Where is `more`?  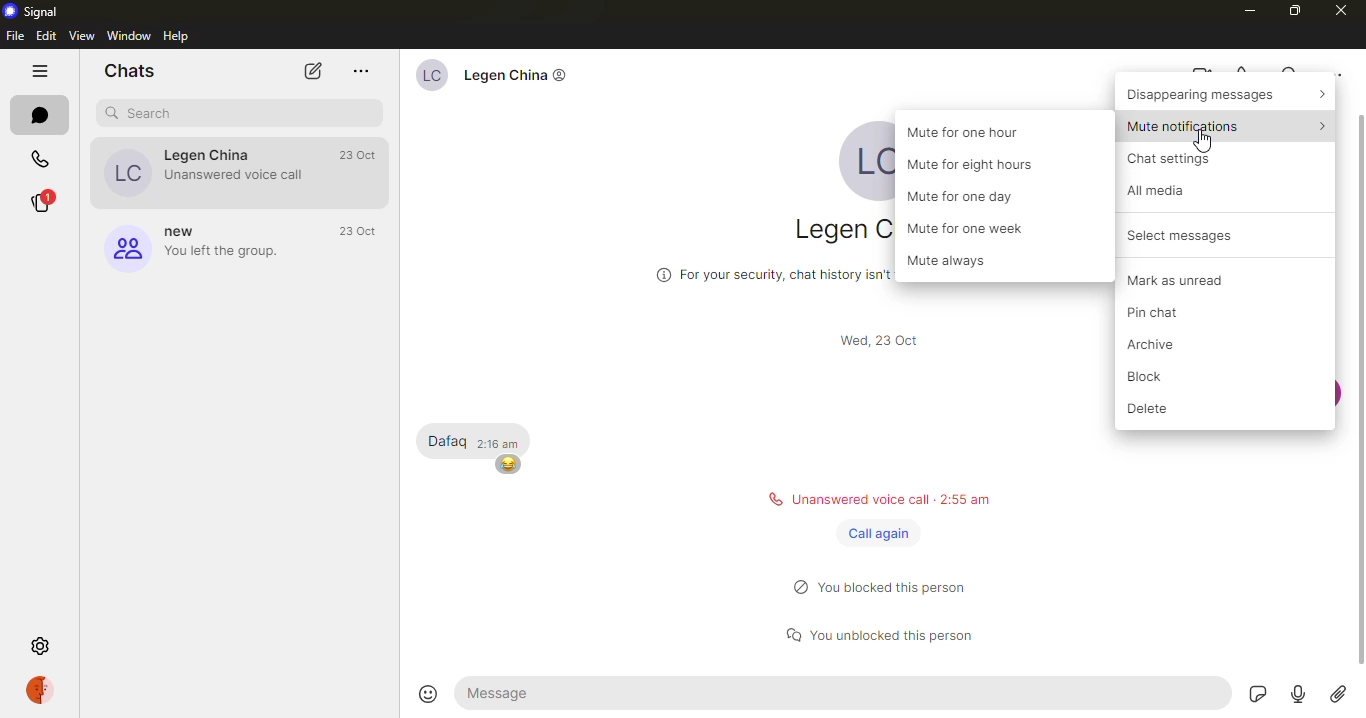 more is located at coordinates (361, 69).